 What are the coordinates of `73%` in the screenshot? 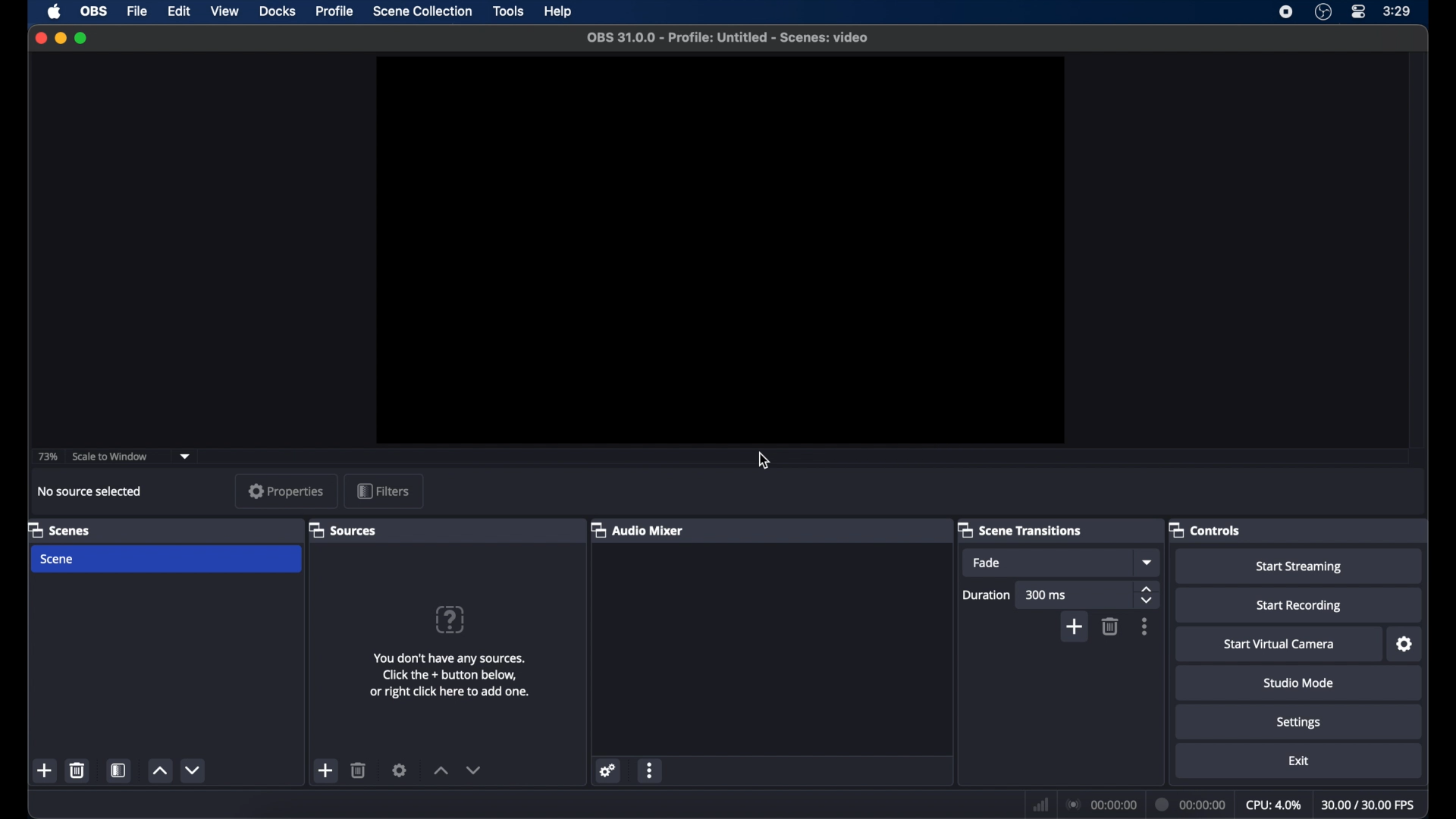 It's located at (47, 456).